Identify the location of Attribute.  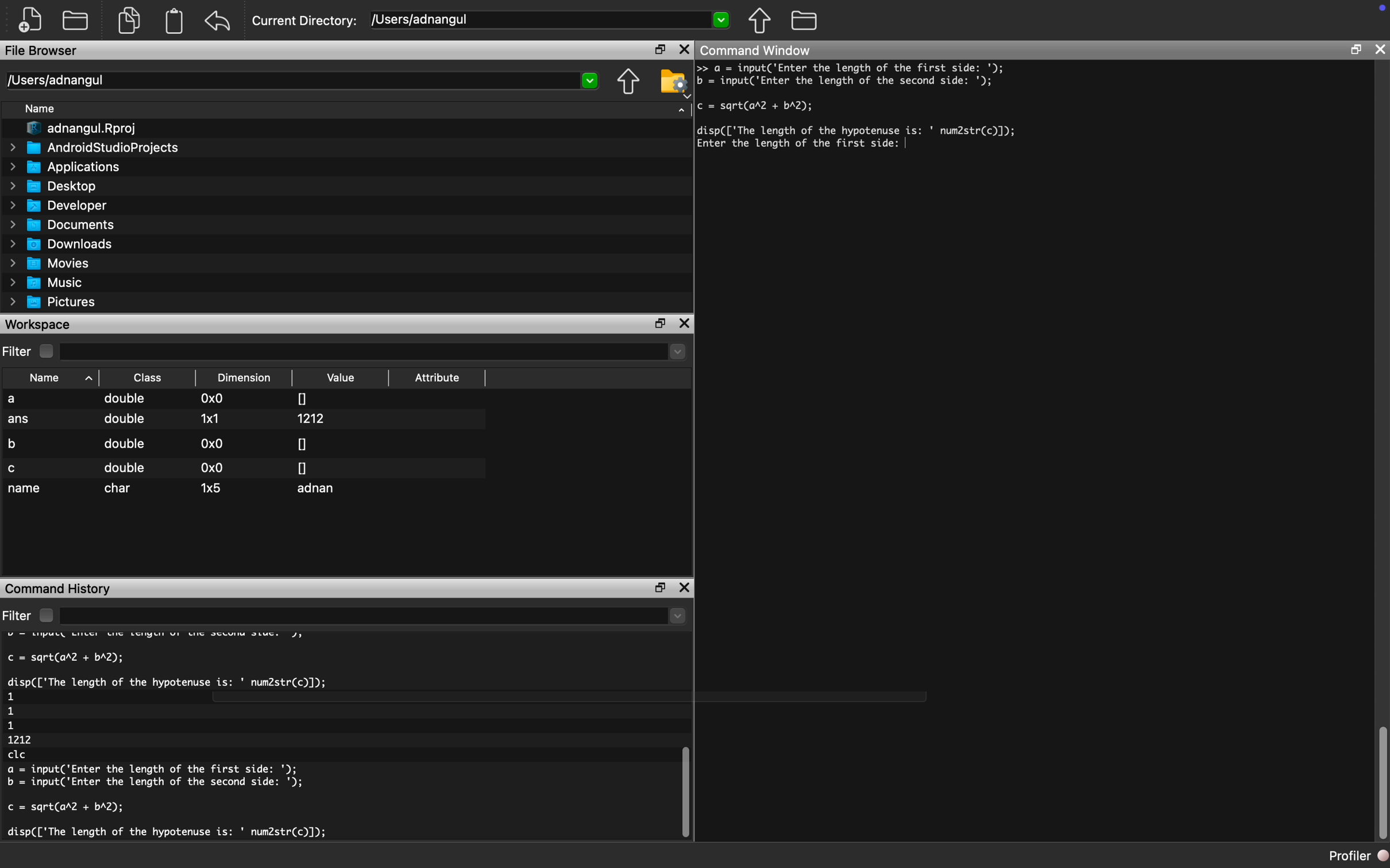
(438, 381).